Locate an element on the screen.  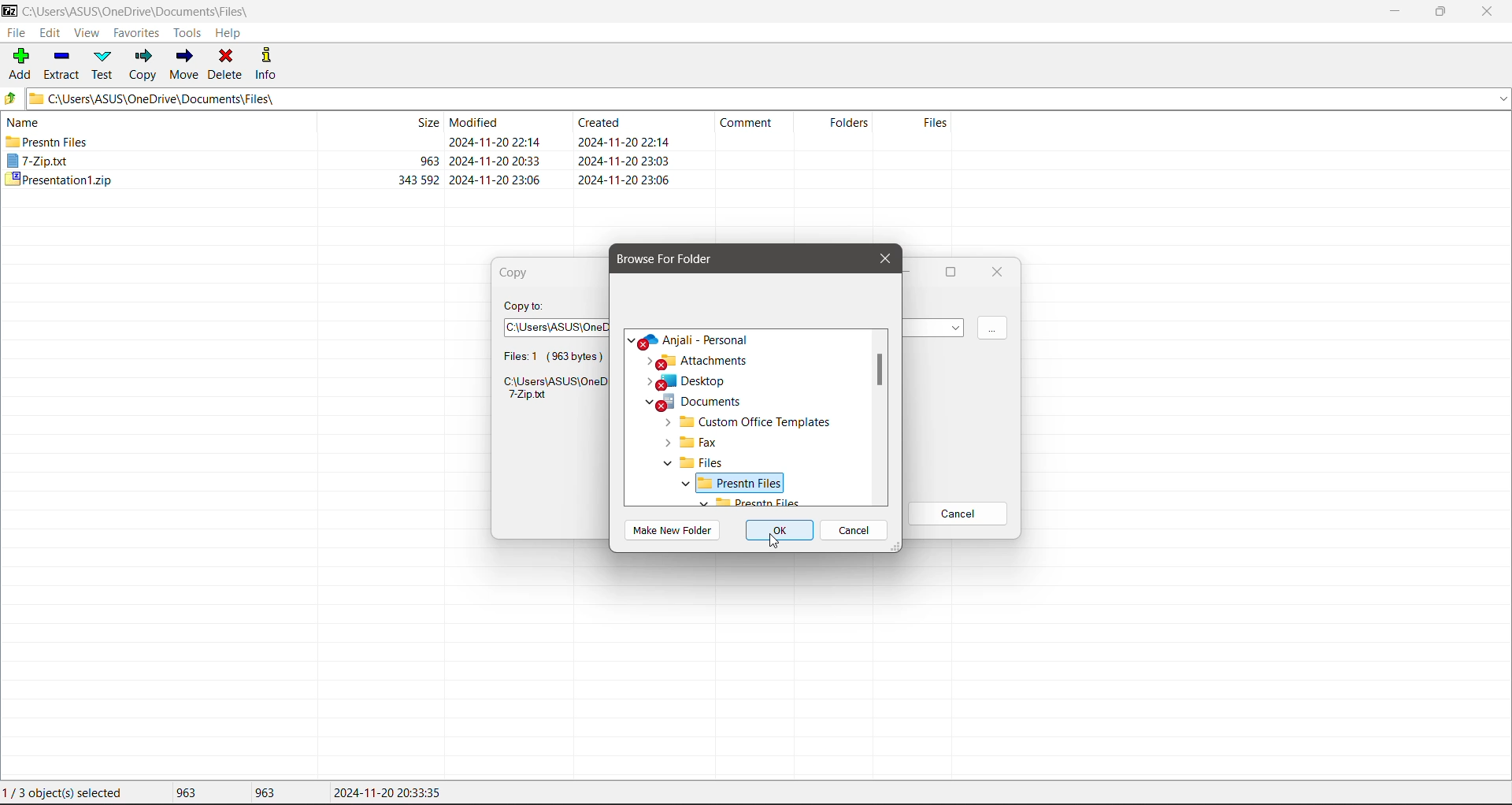
View is located at coordinates (87, 34).